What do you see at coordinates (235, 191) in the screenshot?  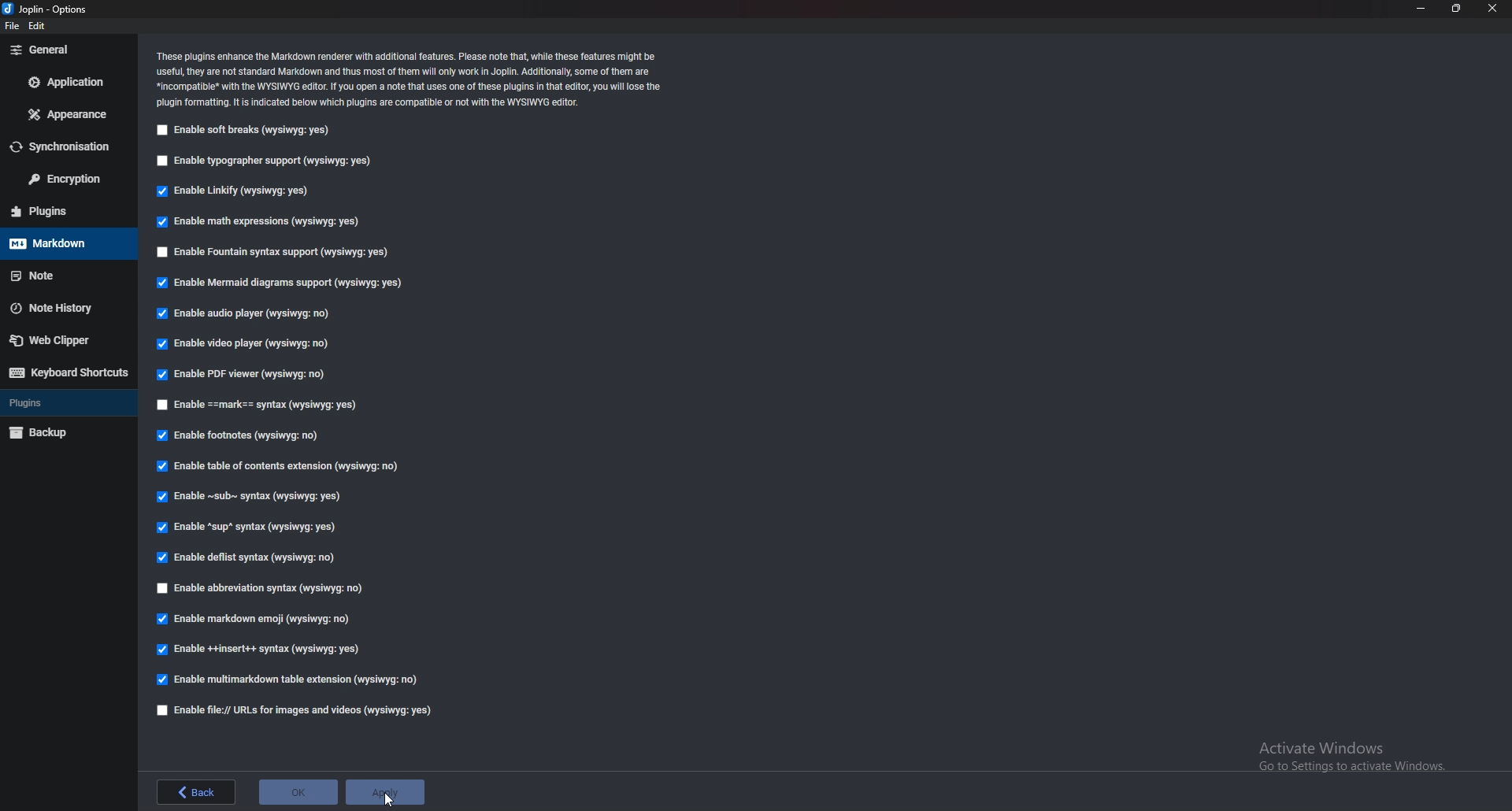 I see `Enable Linkify` at bounding box center [235, 191].